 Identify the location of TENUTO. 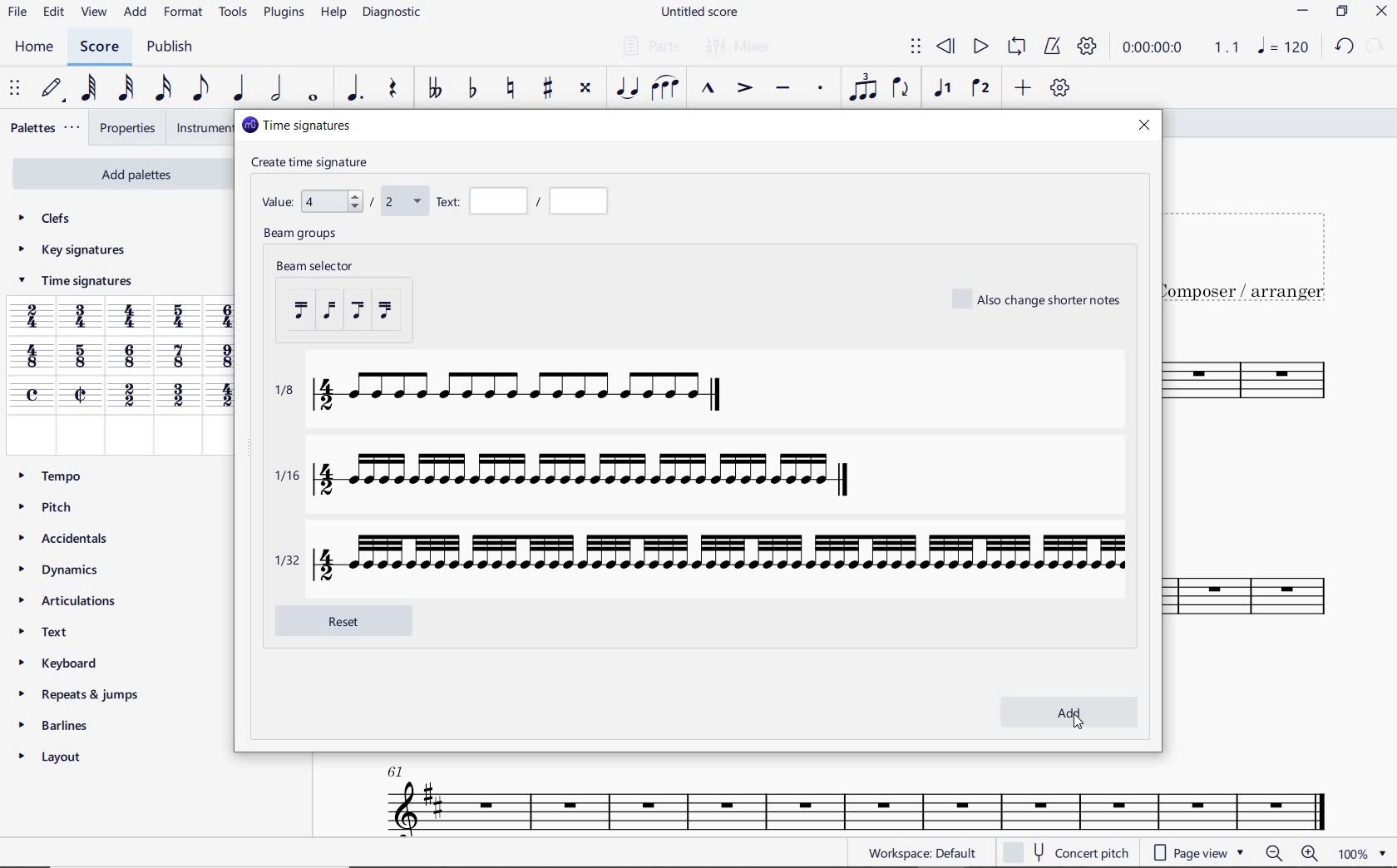
(782, 89).